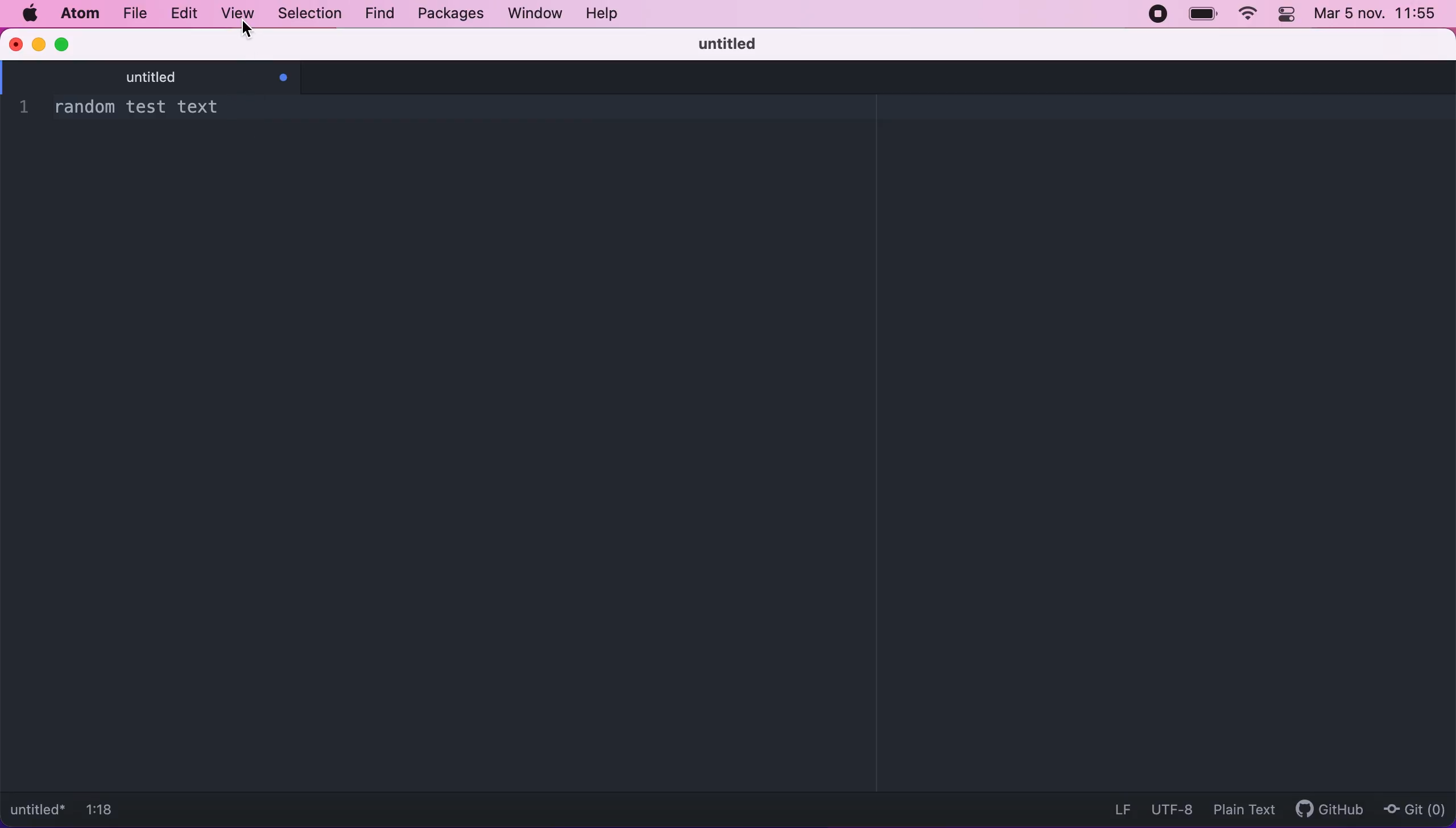 The width and height of the screenshot is (1456, 828). Describe the element at coordinates (241, 13) in the screenshot. I see `view` at that location.